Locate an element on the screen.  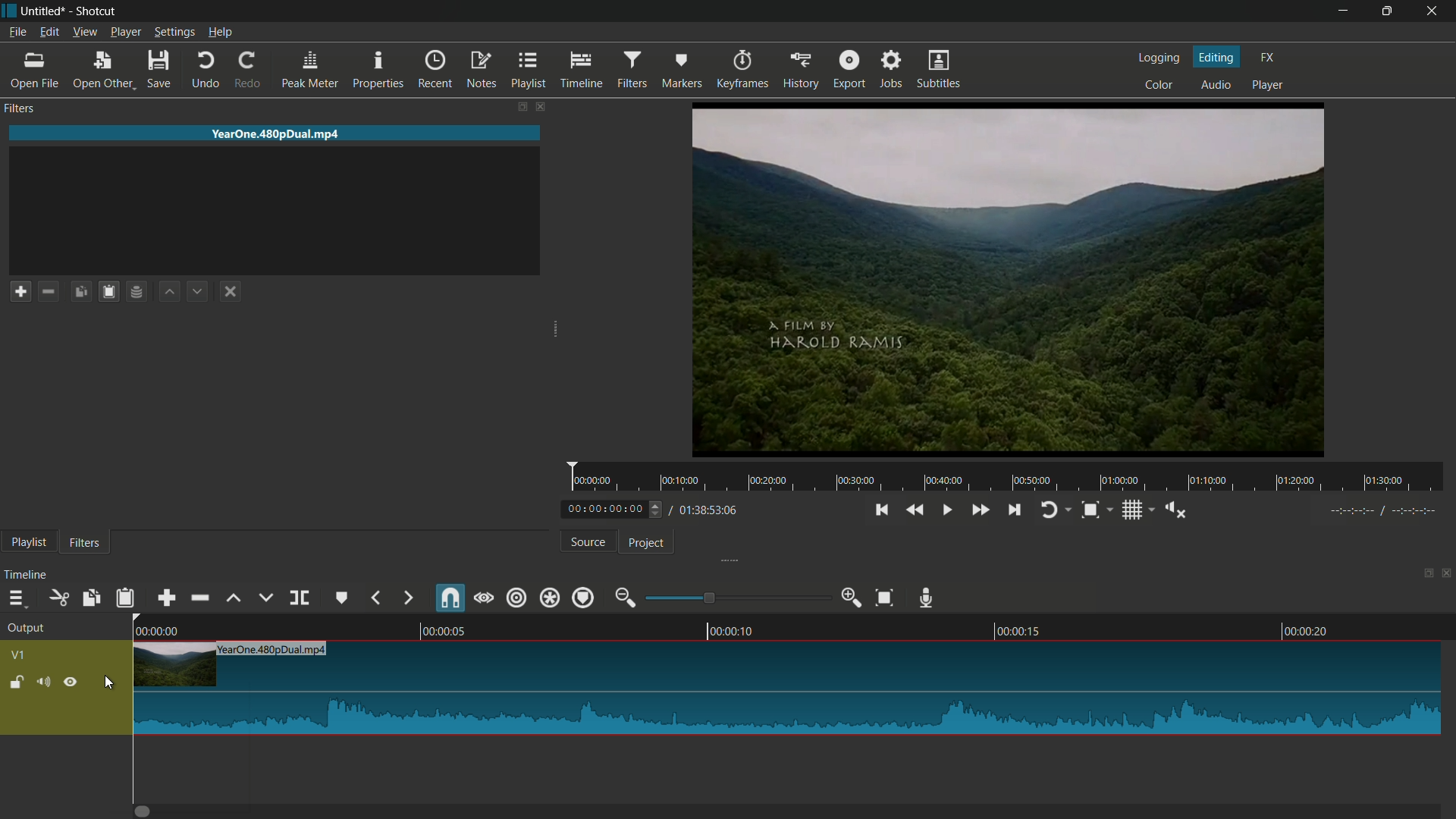
backward is located at coordinates (375, 596).